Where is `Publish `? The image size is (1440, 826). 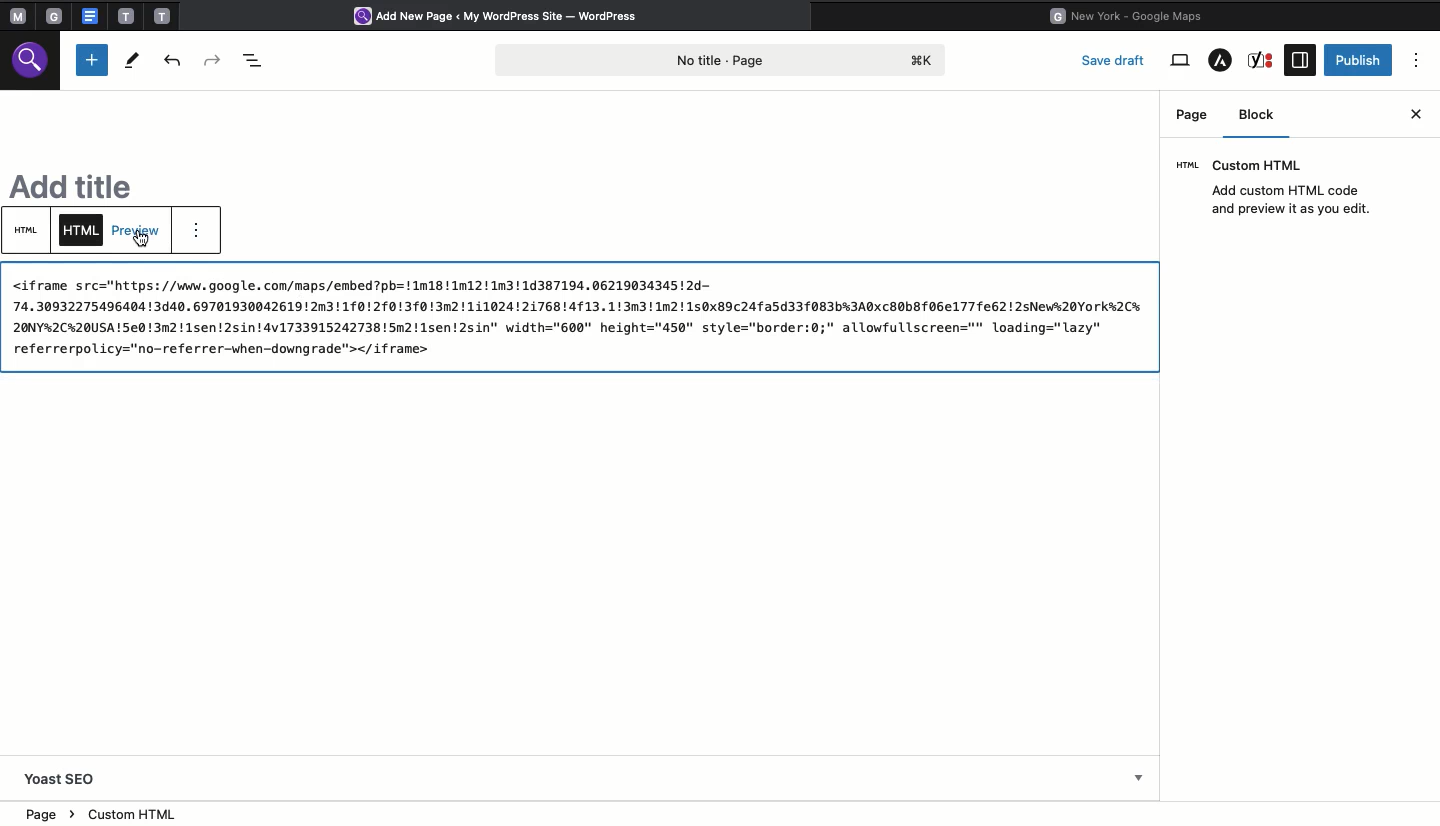
Publish  is located at coordinates (1359, 59).